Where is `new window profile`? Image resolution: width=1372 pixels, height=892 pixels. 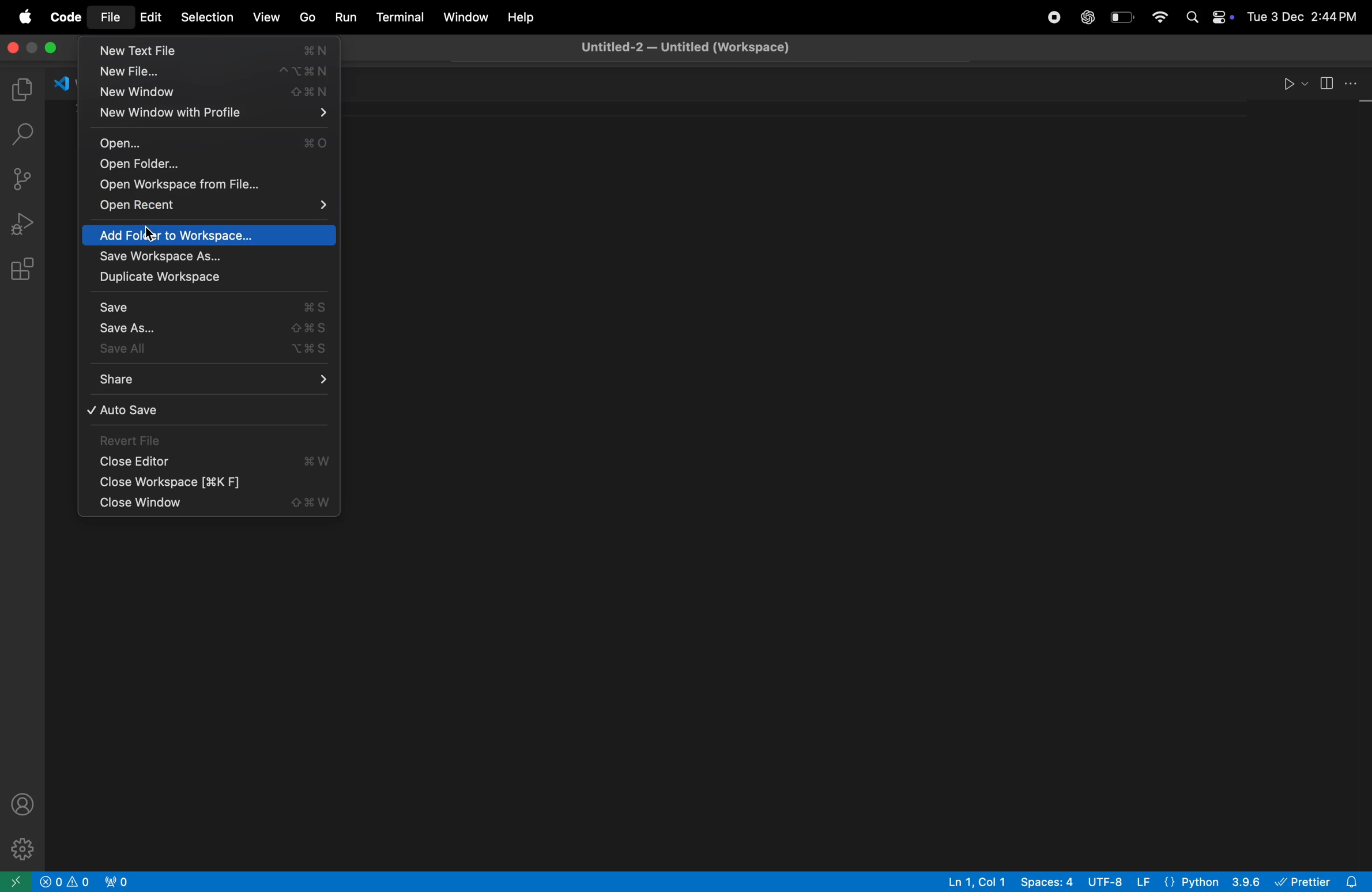 new window profile is located at coordinates (213, 115).